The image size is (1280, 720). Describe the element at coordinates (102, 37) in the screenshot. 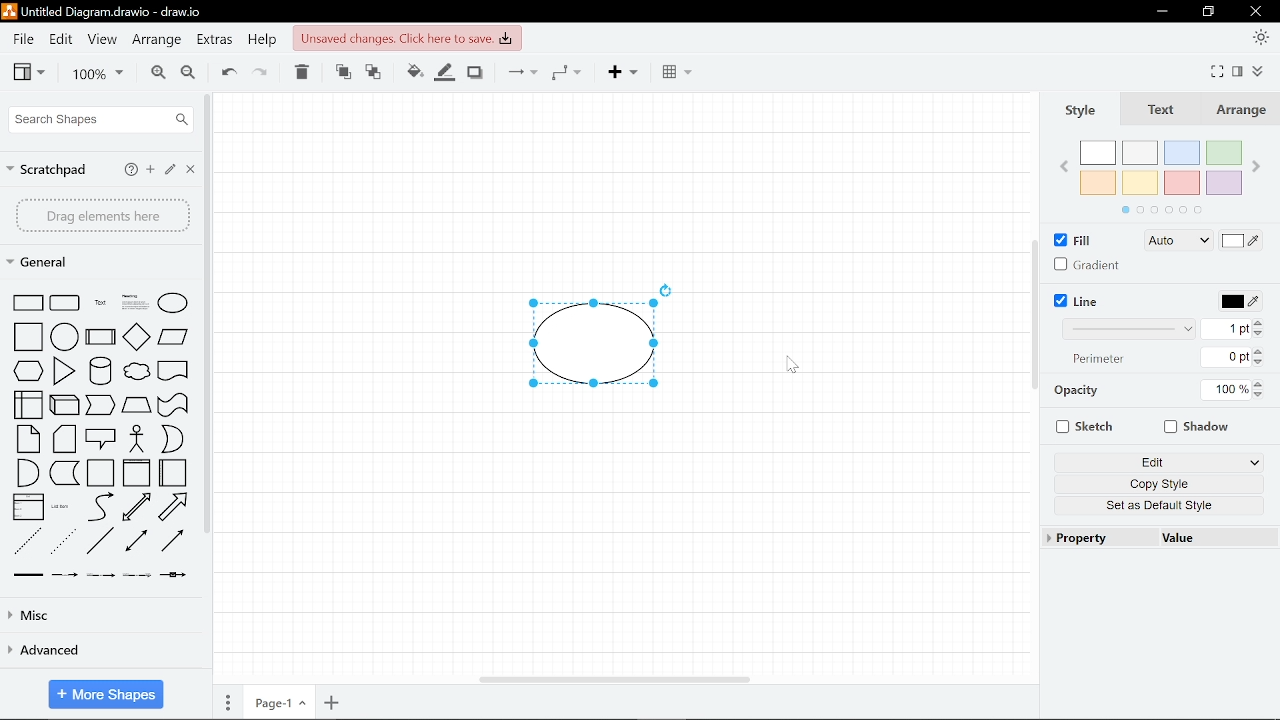

I see `View` at that location.